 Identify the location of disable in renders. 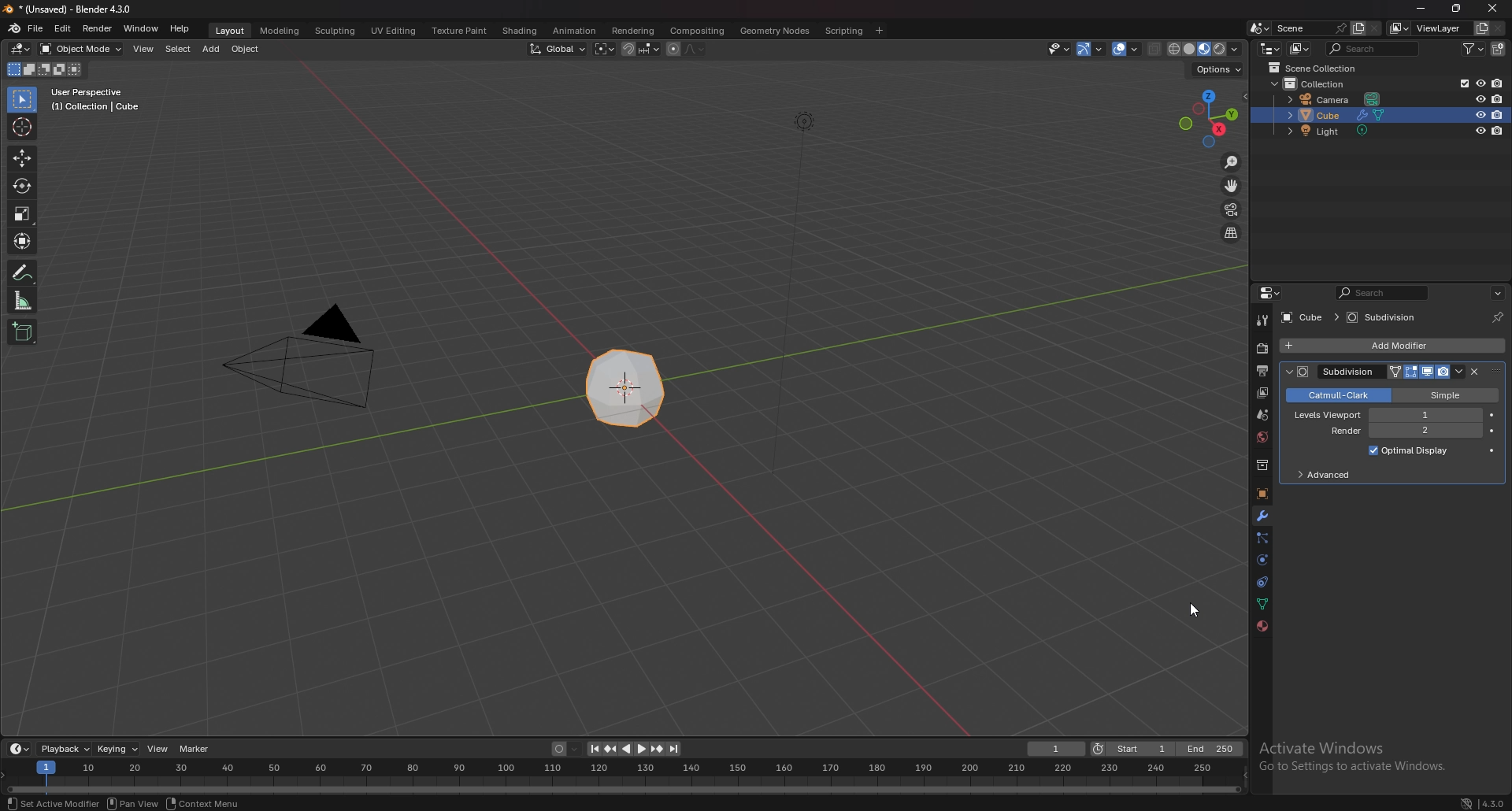
(1499, 130).